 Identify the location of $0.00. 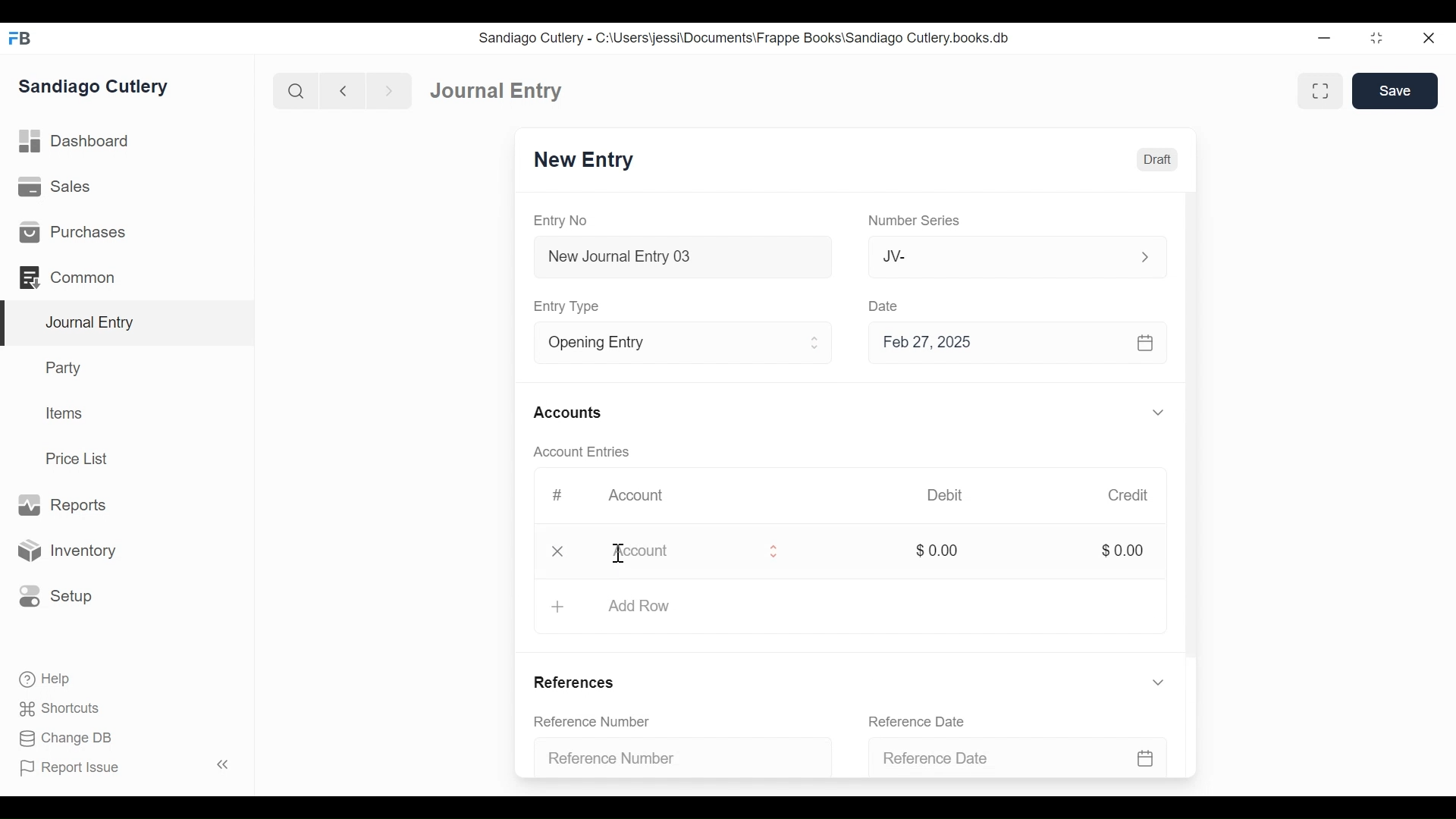
(938, 550).